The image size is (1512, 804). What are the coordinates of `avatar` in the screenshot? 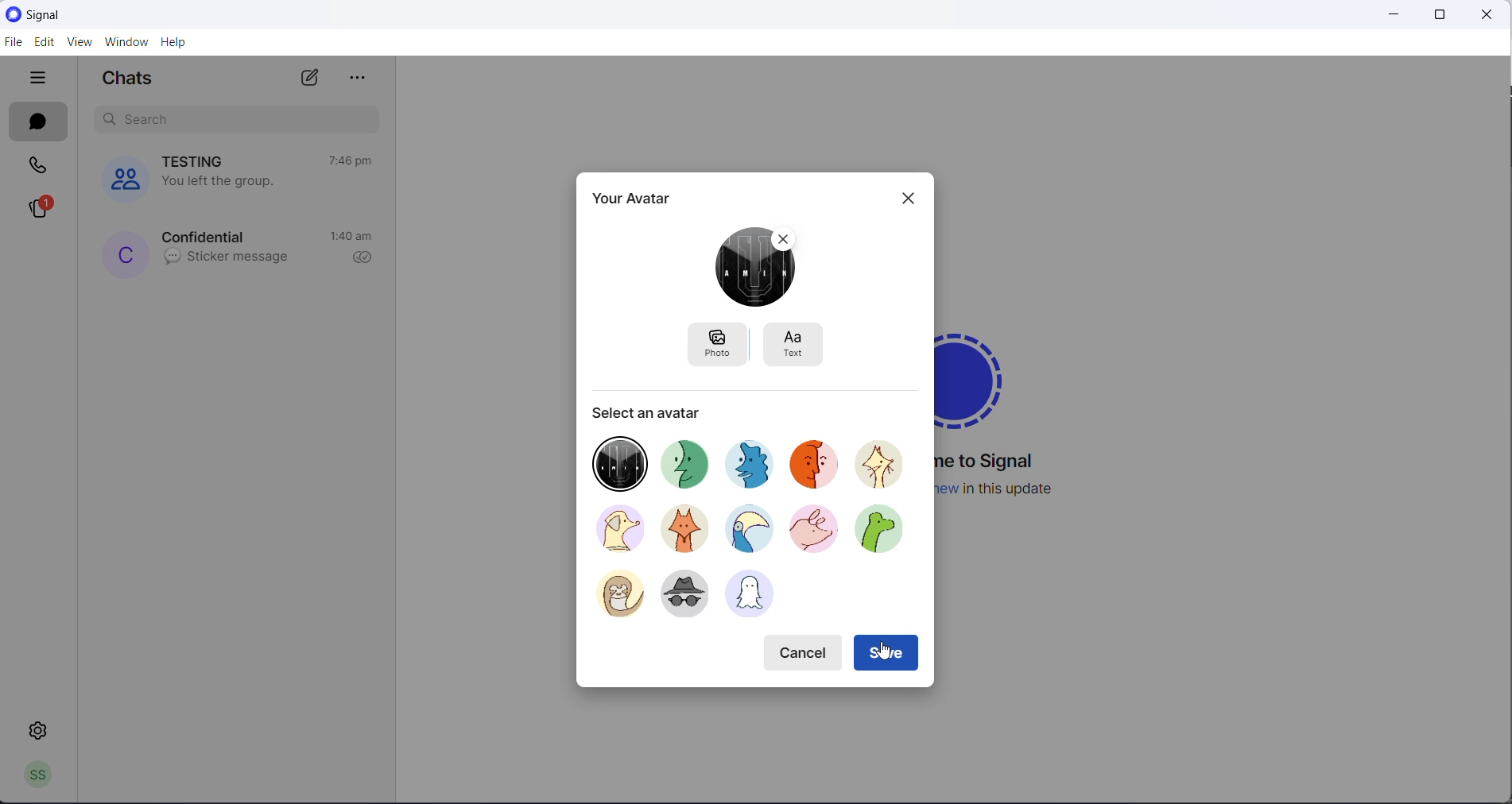 It's located at (749, 531).